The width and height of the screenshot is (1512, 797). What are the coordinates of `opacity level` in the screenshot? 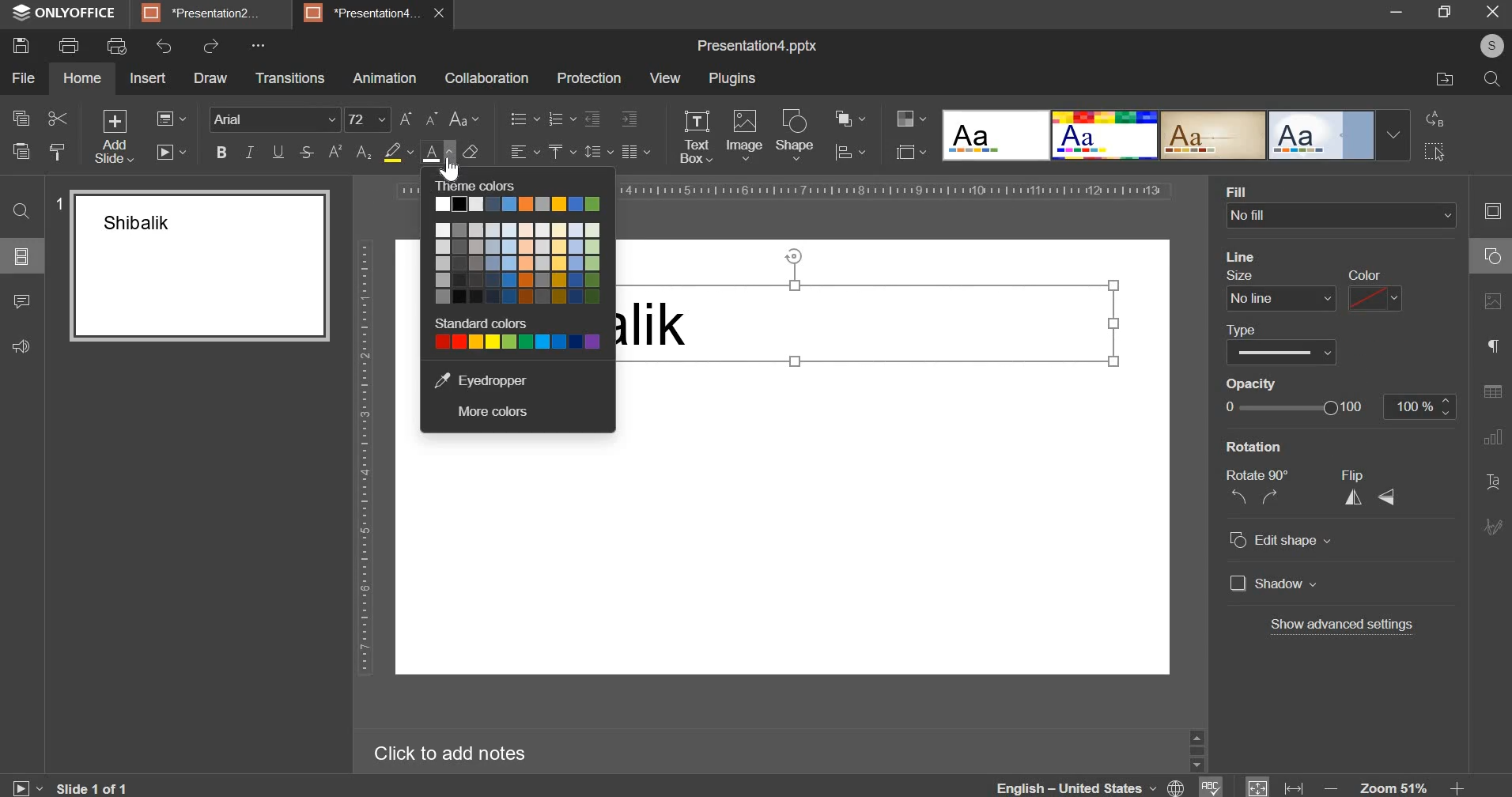 It's located at (1421, 407).